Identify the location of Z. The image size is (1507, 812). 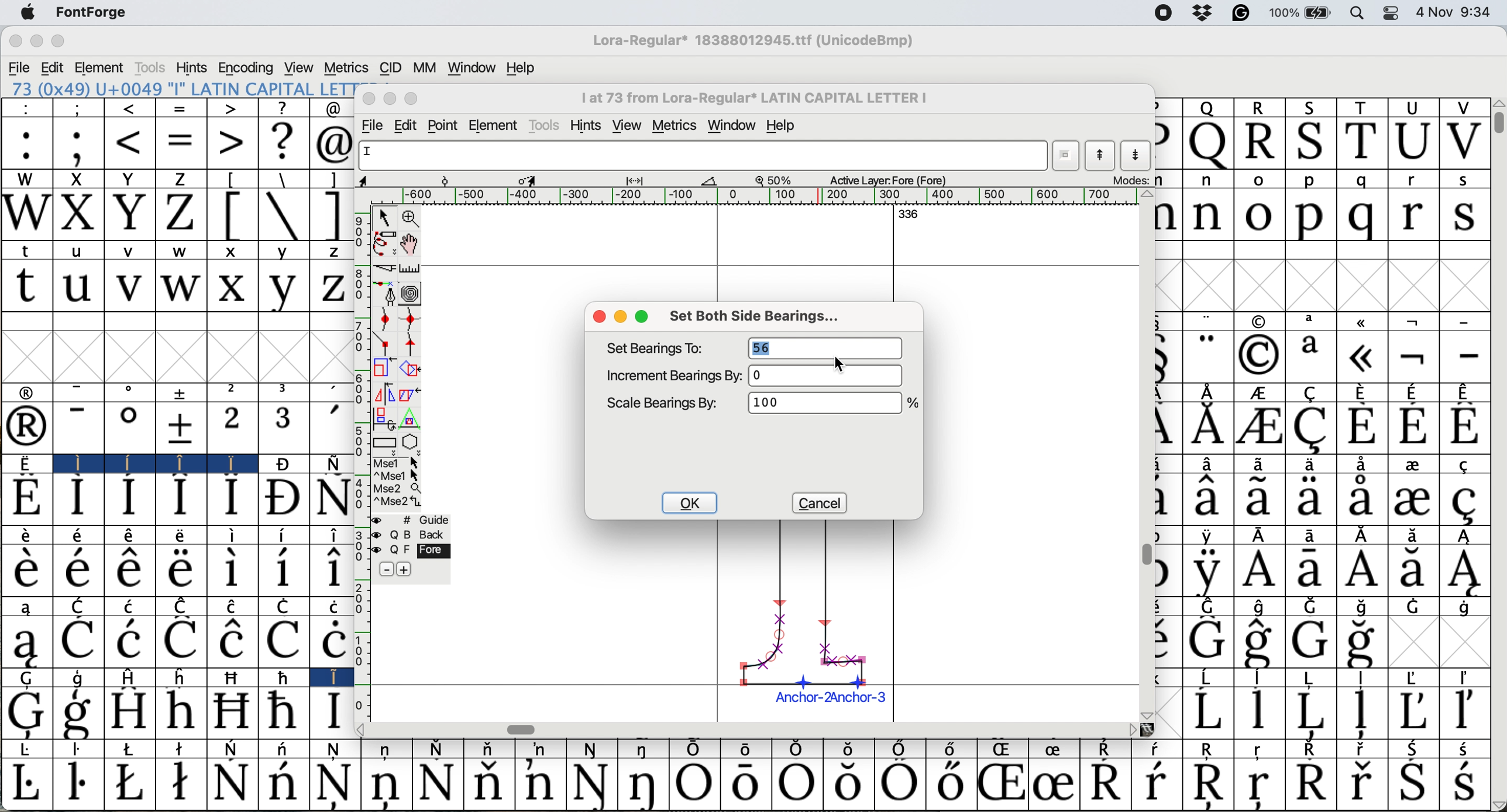
(182, 215).